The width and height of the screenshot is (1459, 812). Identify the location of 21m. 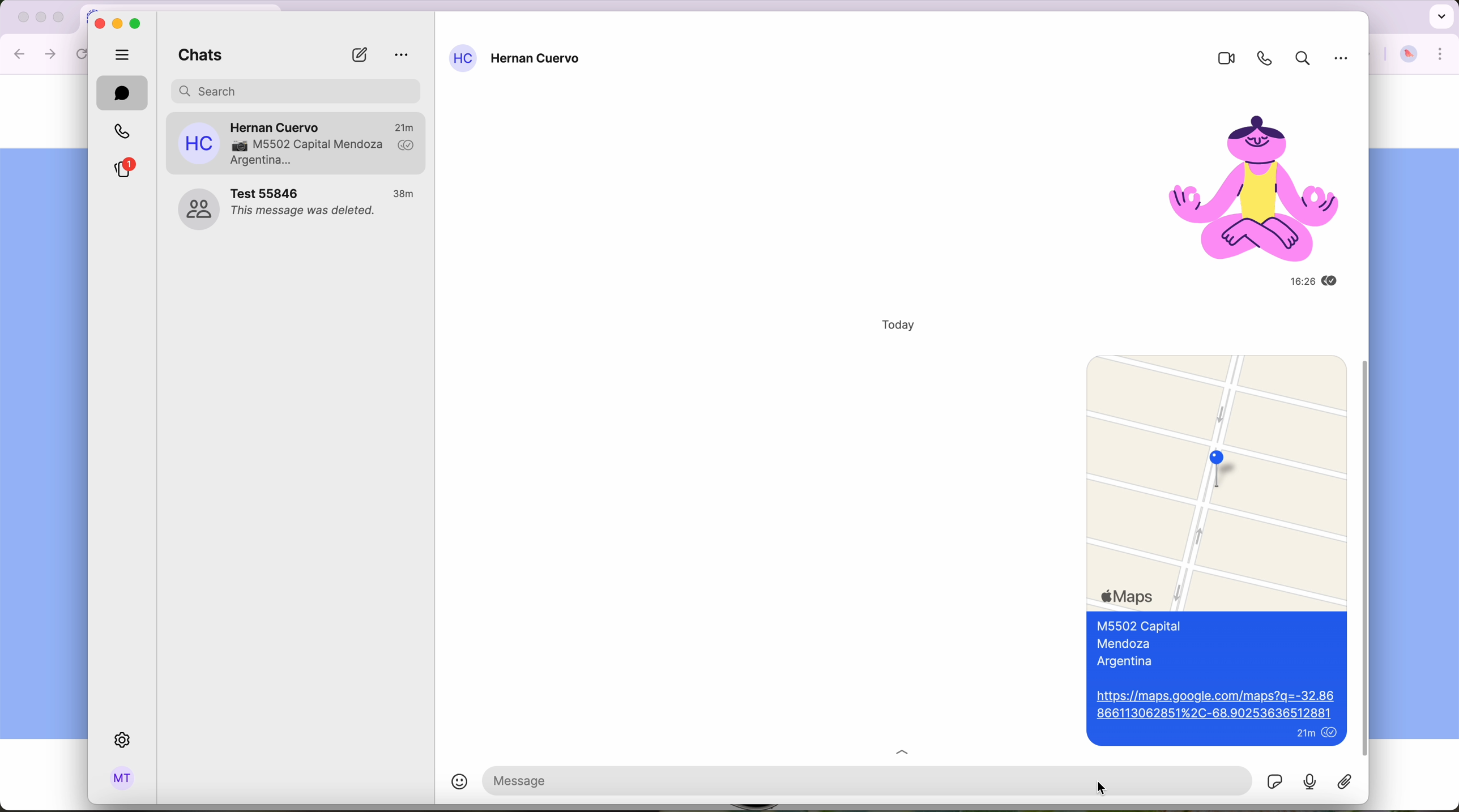
(404, 126).